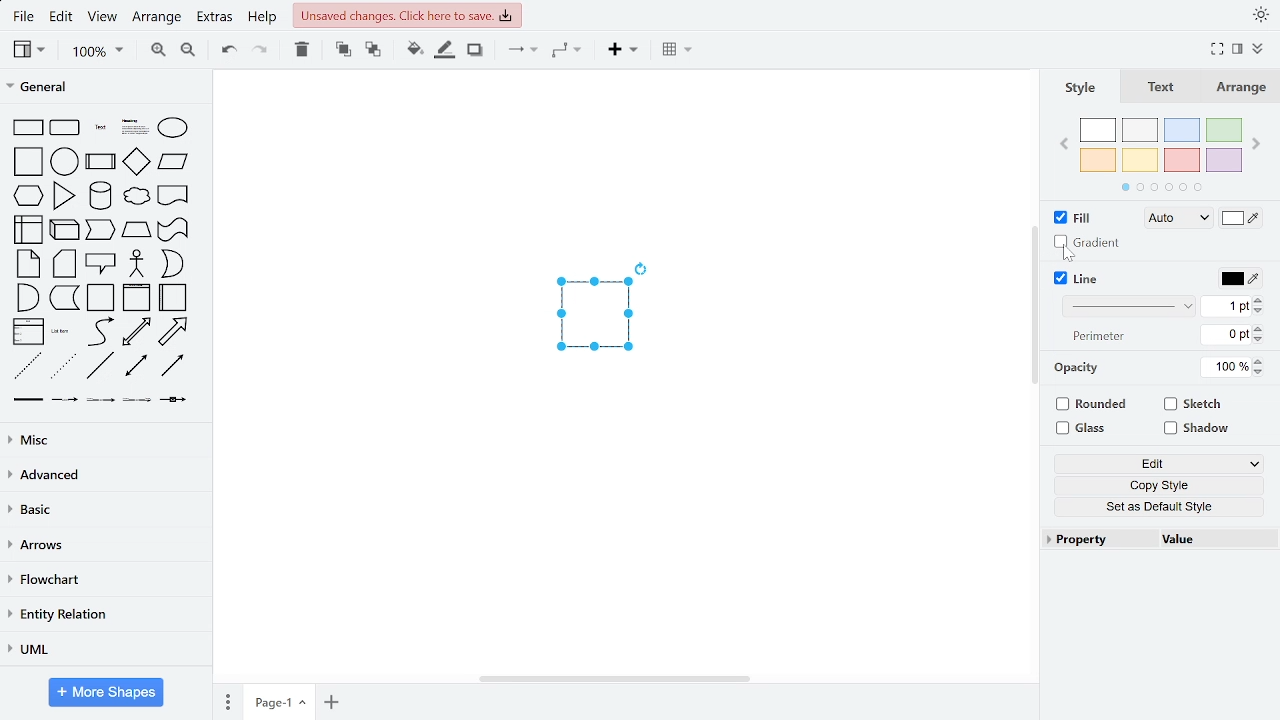  What do you see at coordinates (1239, 279) in the screenshot?
I see `line color` at bounding box center [1239, 279].